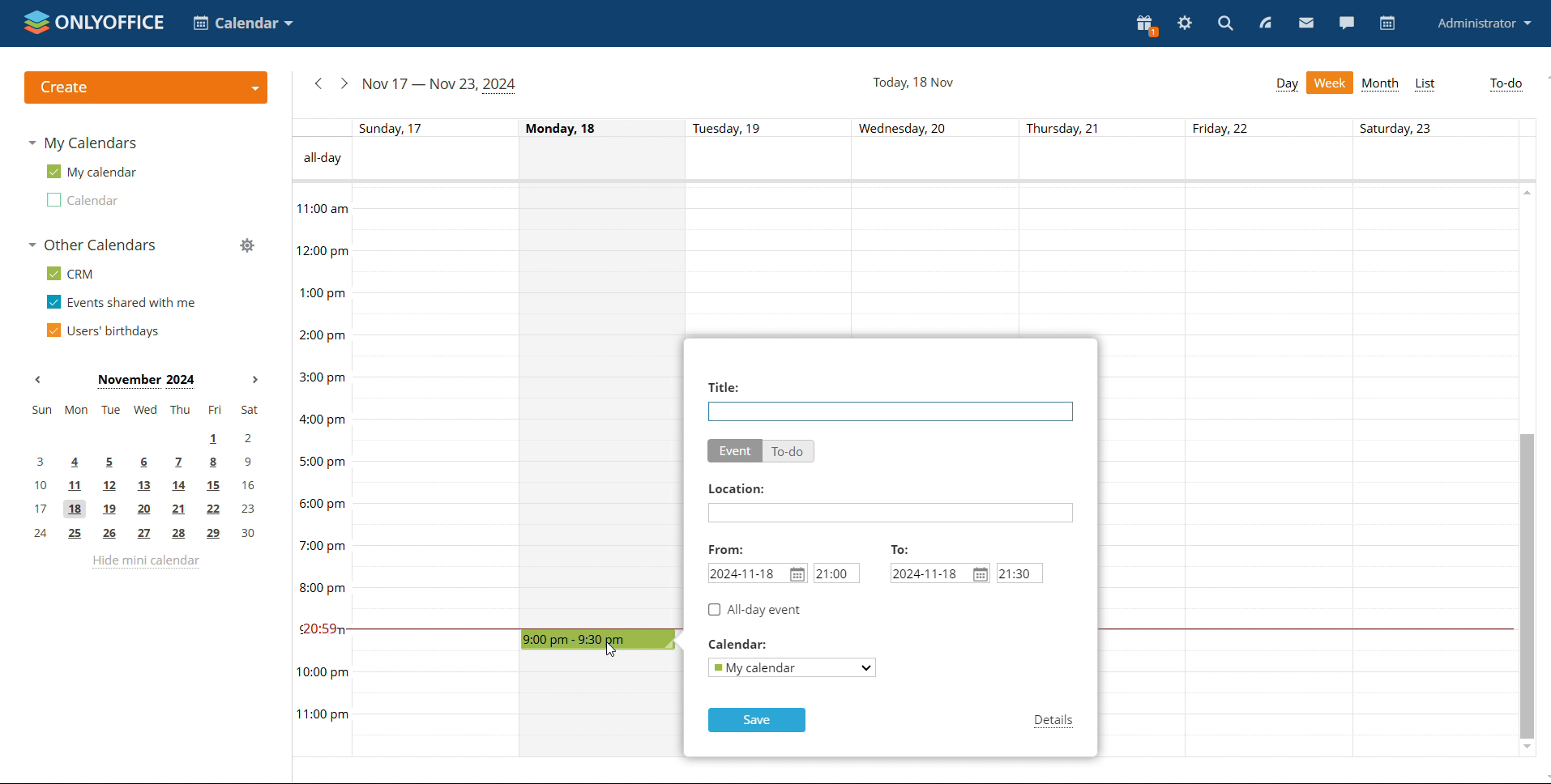 The image size is (1551, 784). Describe the element at coordinates (739, 489) in the screenshot. I see `location` at that location.